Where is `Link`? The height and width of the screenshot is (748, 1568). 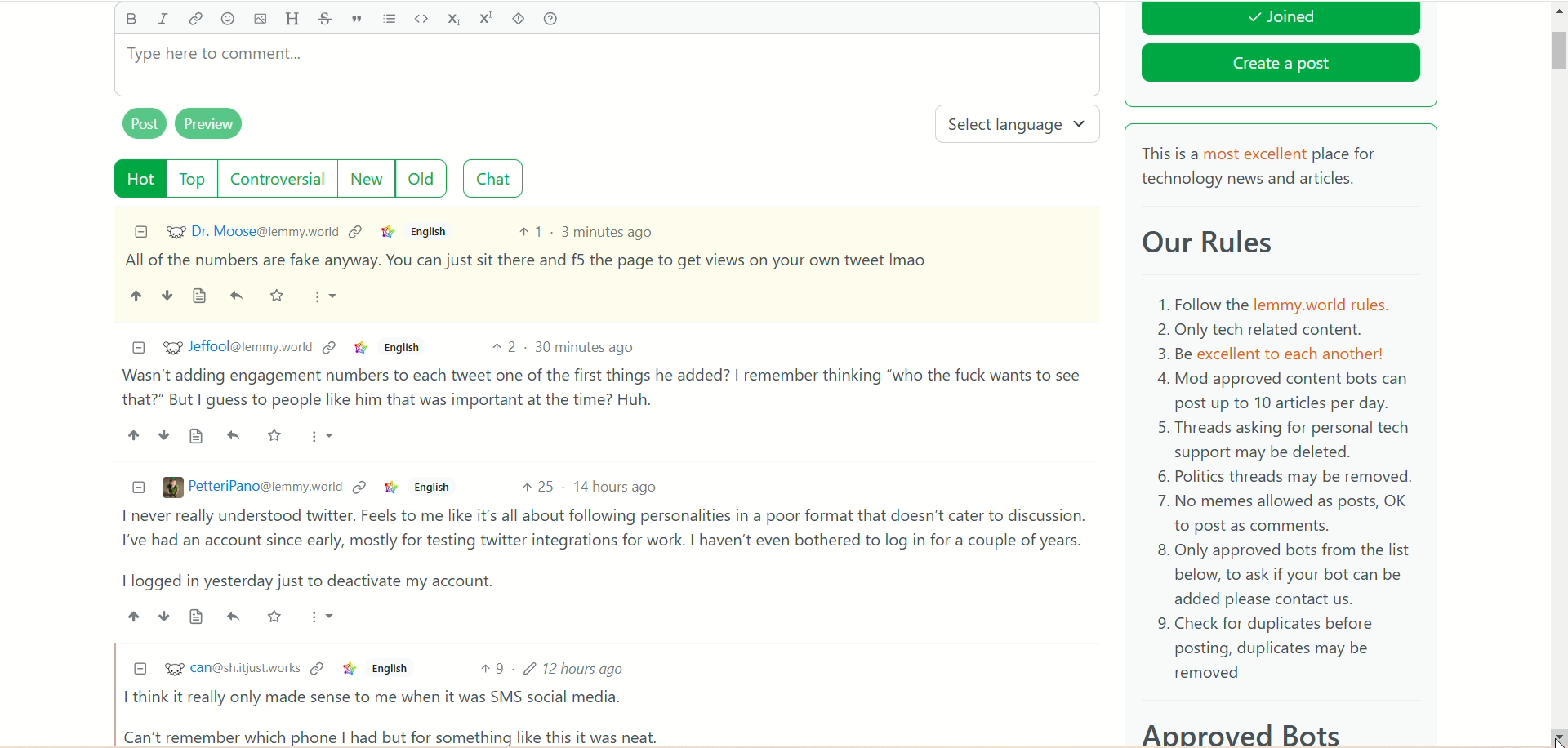
Link is located at coordinates (349, 669).